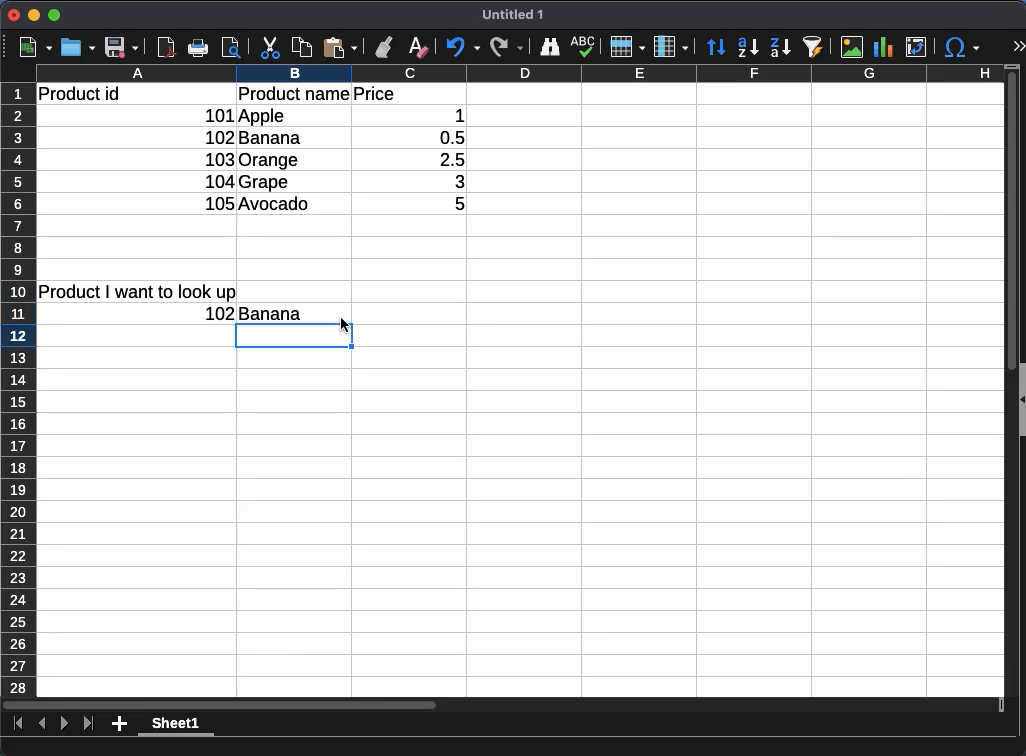 Image resolution: width=1026 pixels, height=756 pixels. Describe the element at coordinates (507, 47) in the screenshot. I see `redo` at that location.